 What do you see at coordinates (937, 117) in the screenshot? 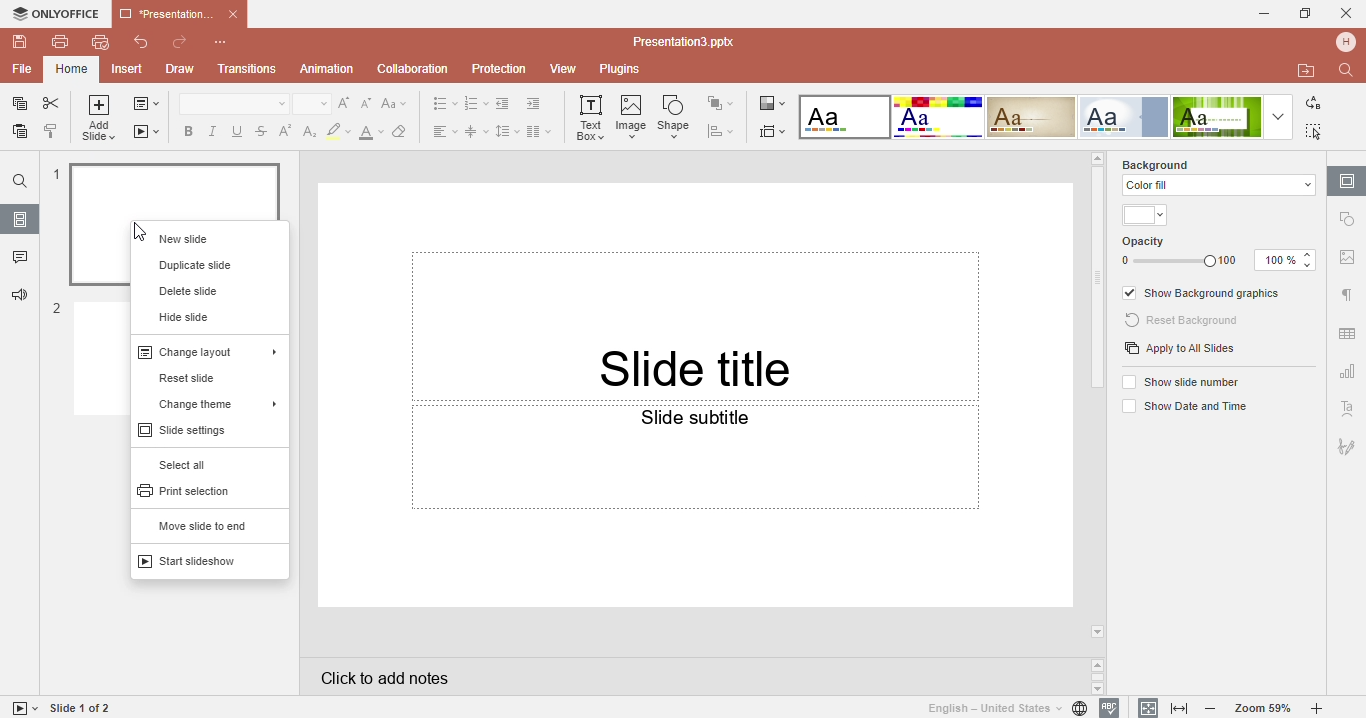
I see `Basic` at bounding box center [937, 117].